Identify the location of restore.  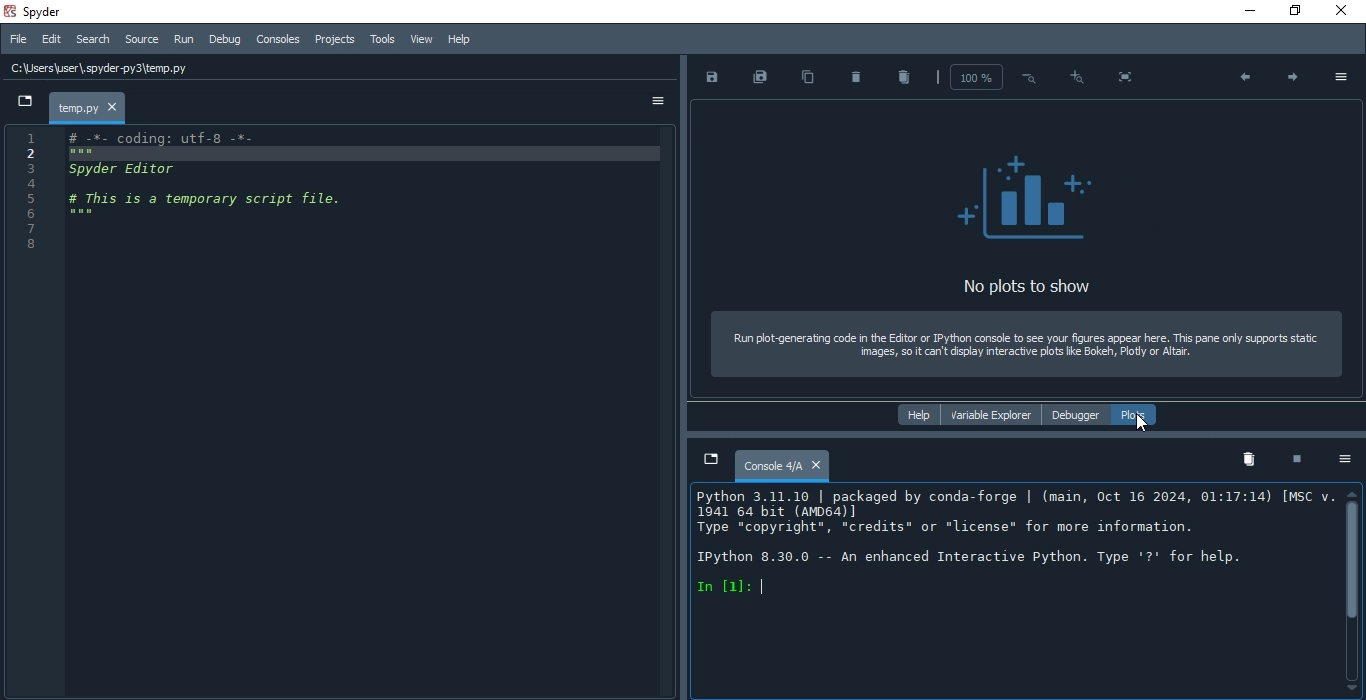
(1291, 10).